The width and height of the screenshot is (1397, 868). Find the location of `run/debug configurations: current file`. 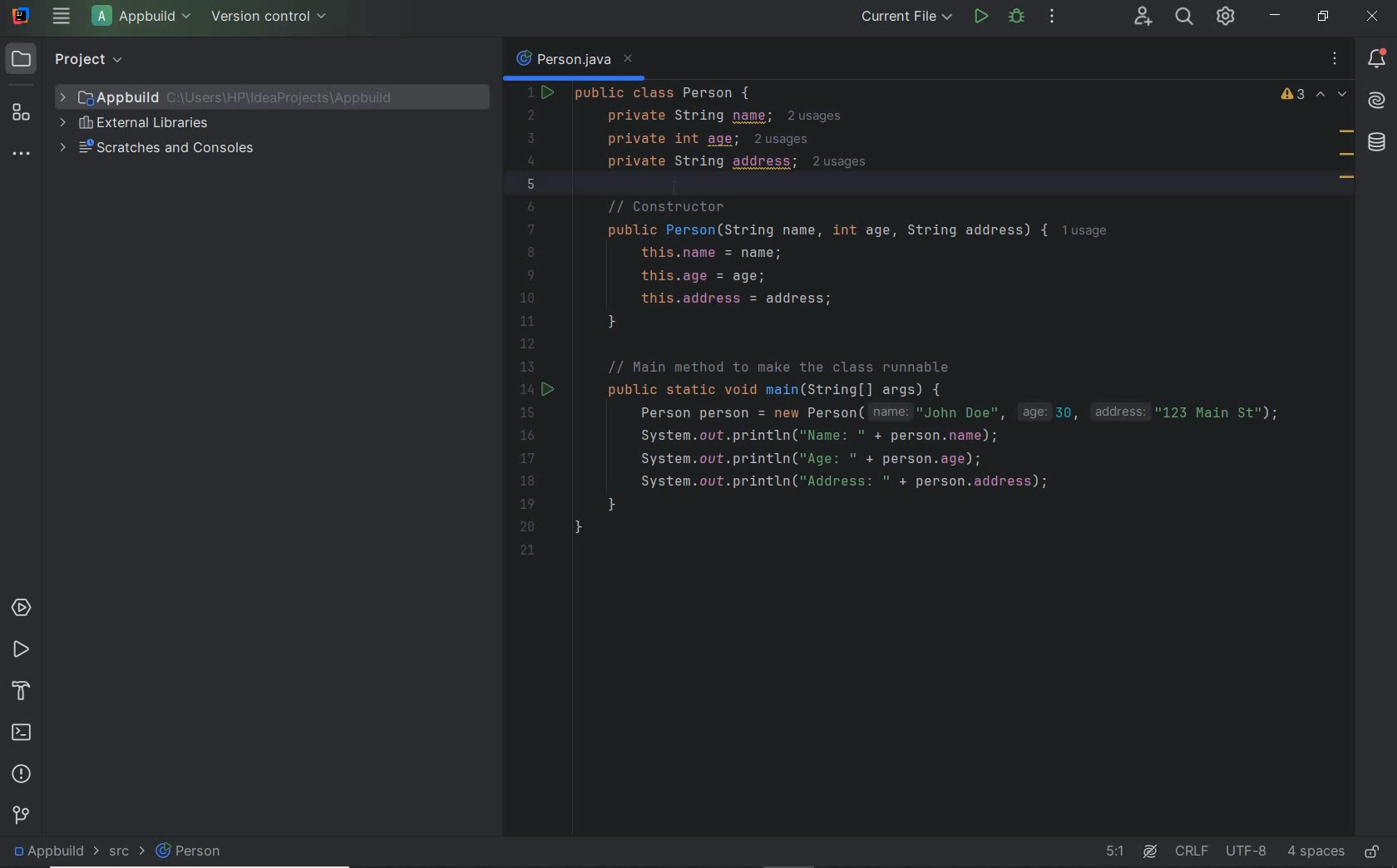

run/debug configurations: current file is located at coordinates (906, 16).